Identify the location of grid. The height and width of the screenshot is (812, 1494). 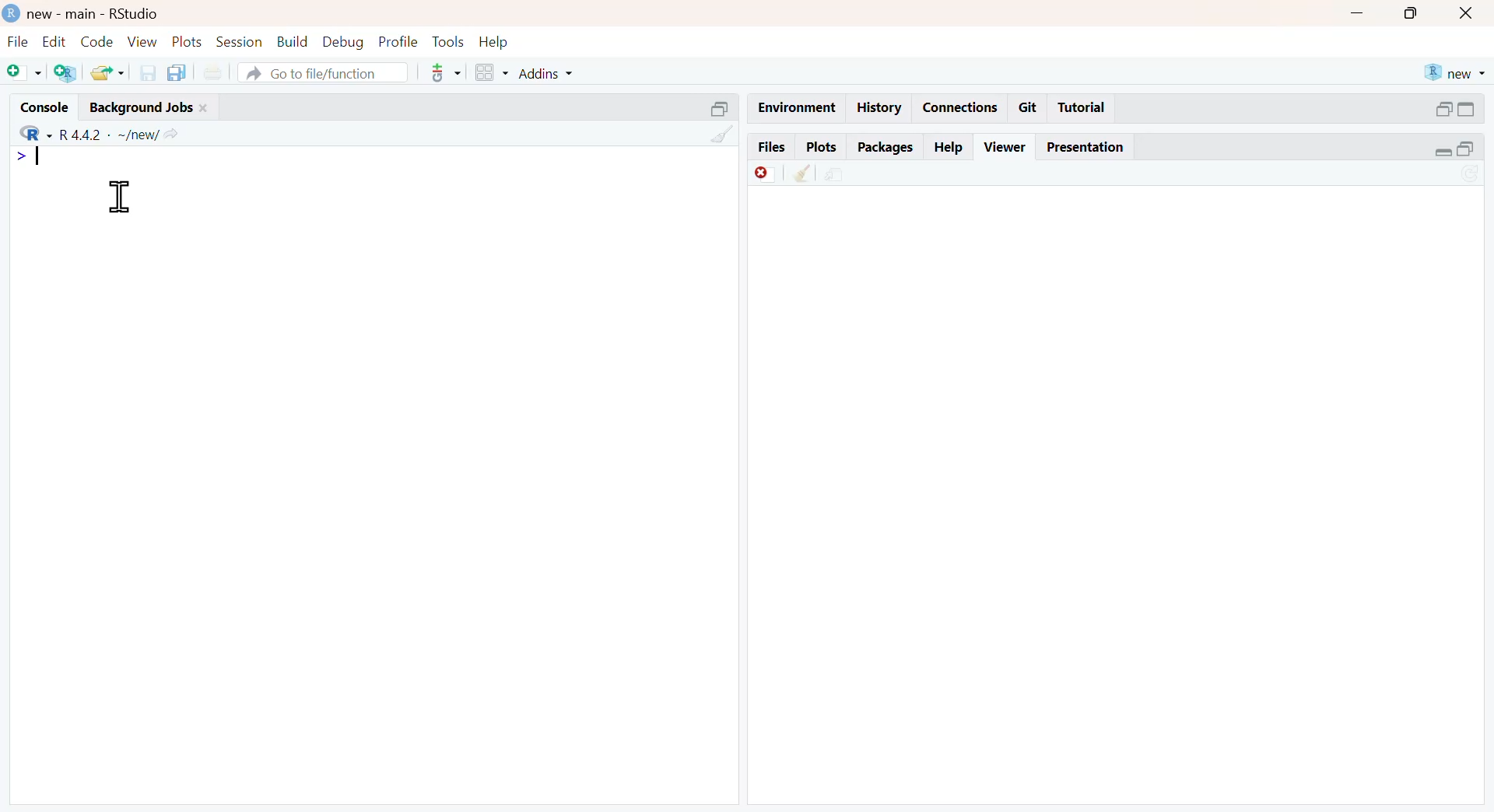
(493, 72).